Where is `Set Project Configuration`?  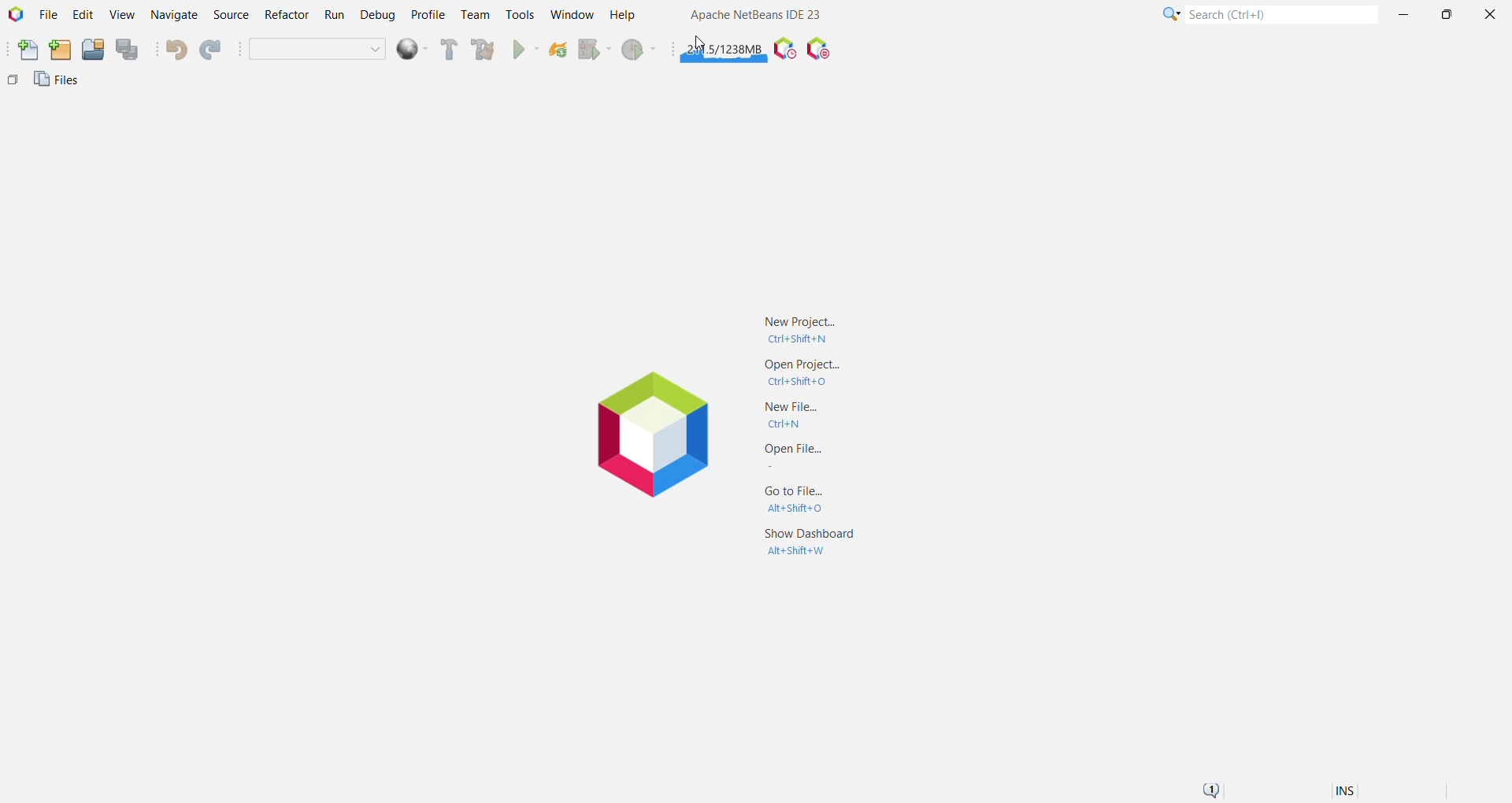
Set Project Configuration is located at coordinates (318, 50).